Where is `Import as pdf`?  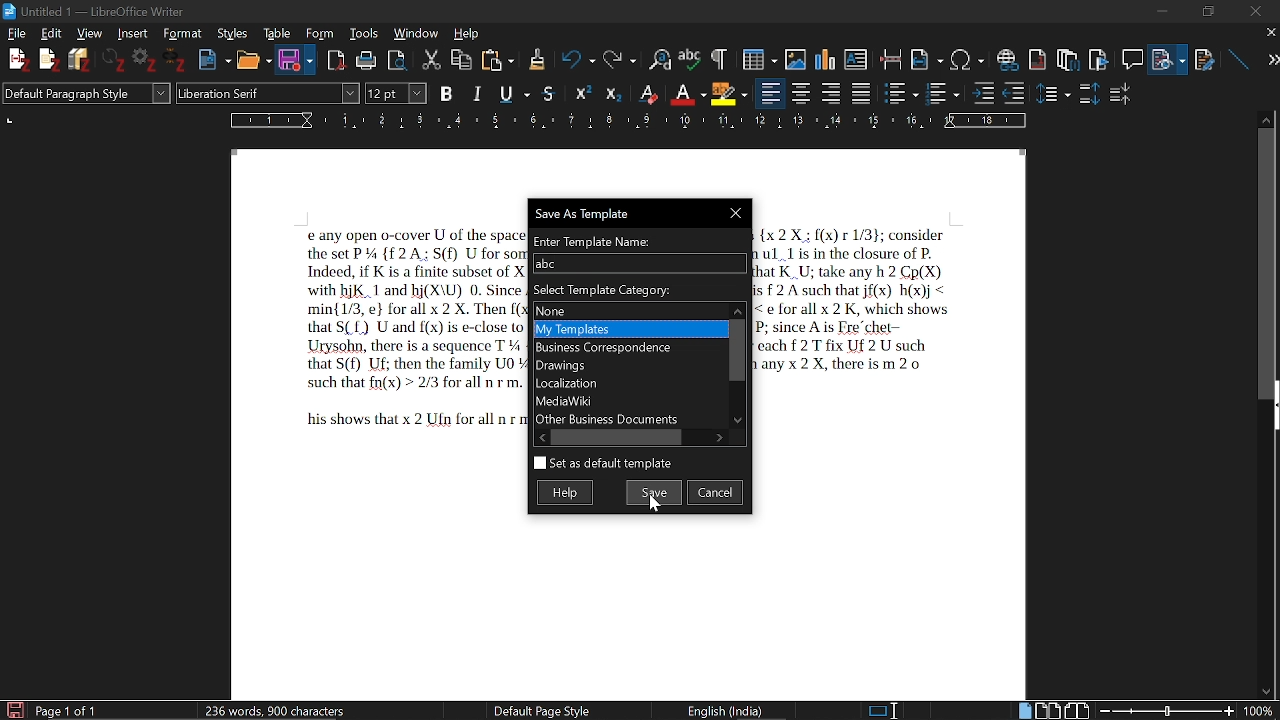
Import as pdf is located at coordinates (335, 57).